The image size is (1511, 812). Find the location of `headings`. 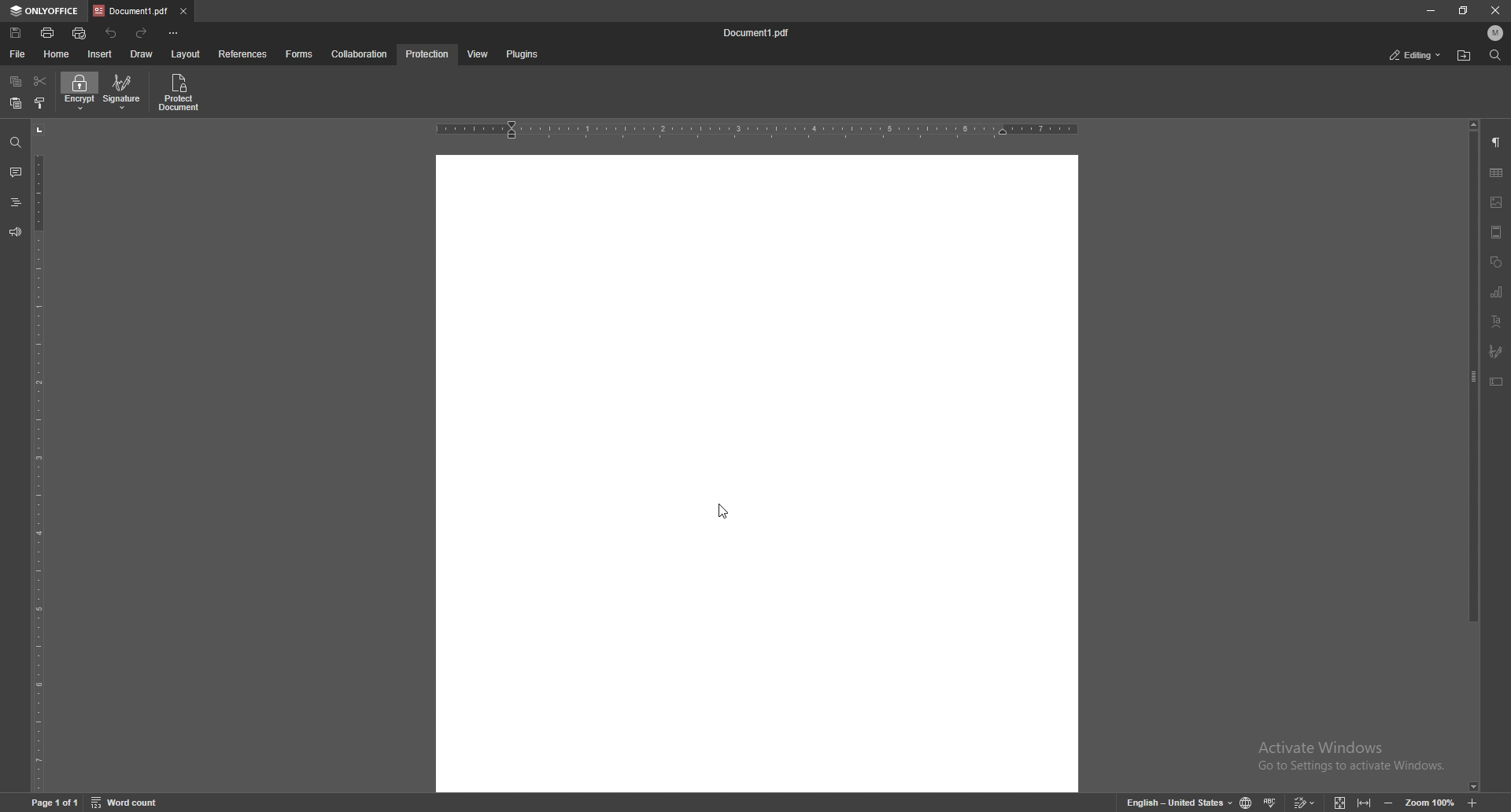

headings is located at coordinates (14, 202).